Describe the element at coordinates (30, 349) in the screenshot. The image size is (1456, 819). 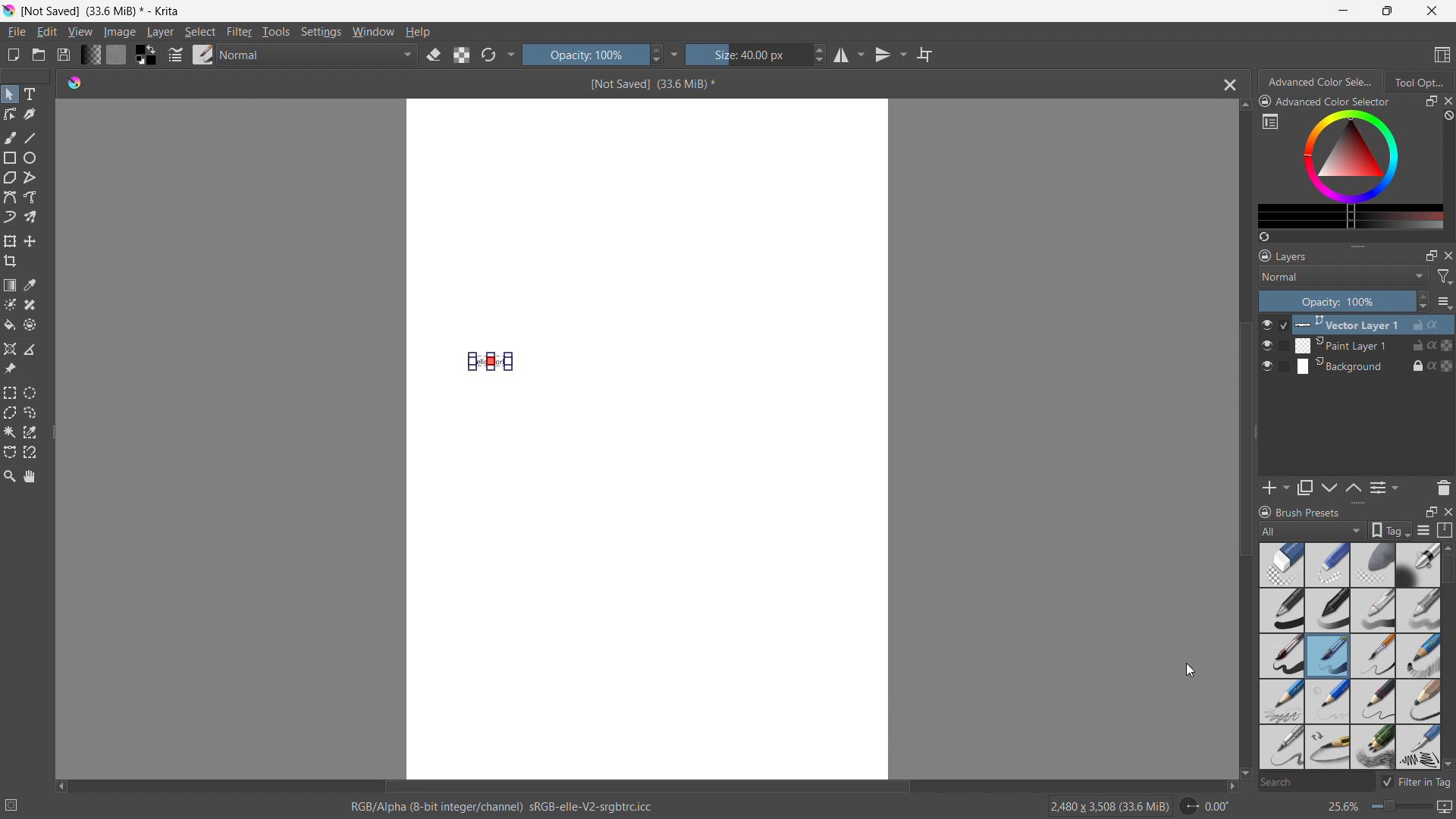
I see `measure the distance between two points` at that location.